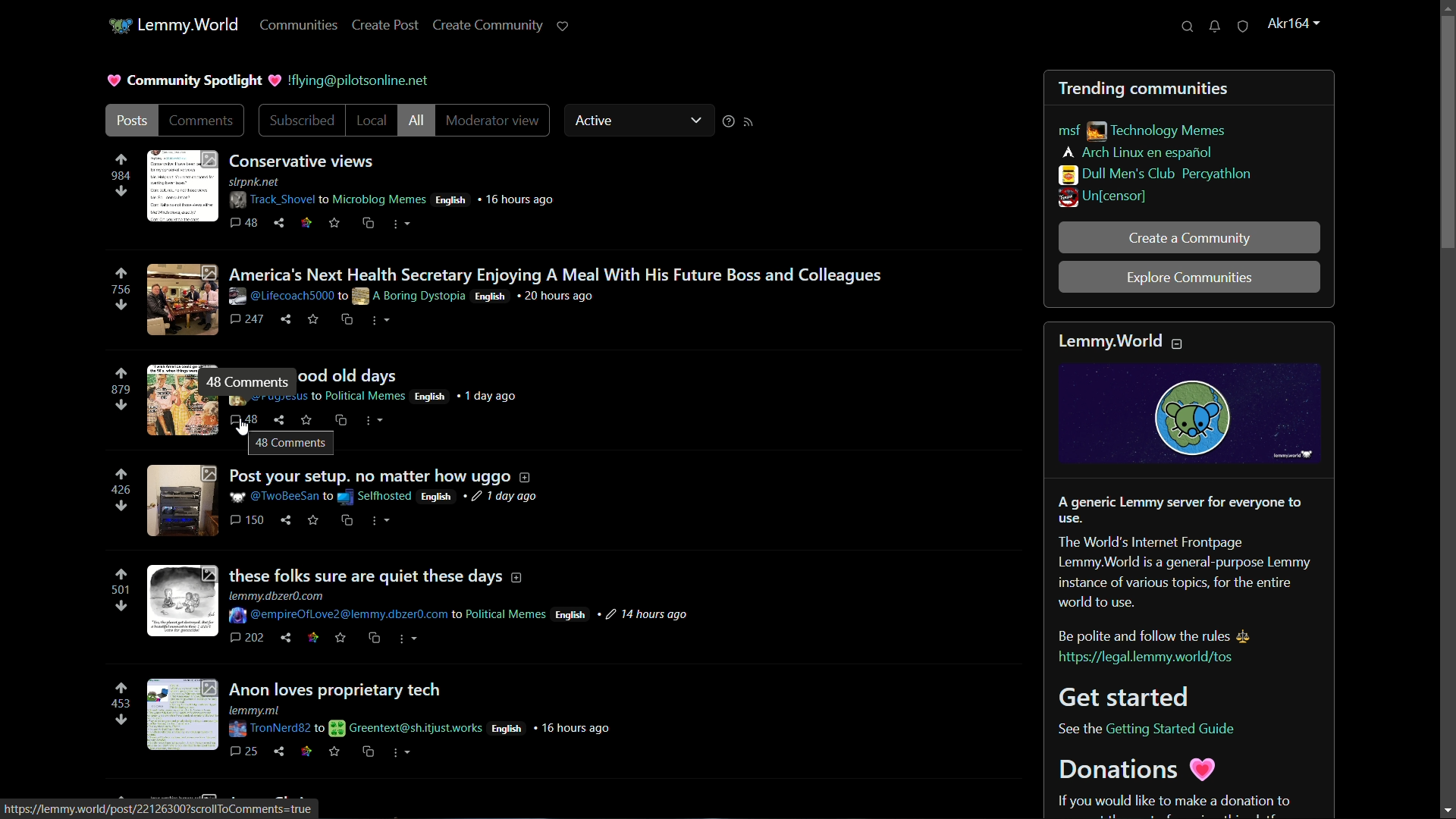  I want to click on post-2, so click(515, 298).